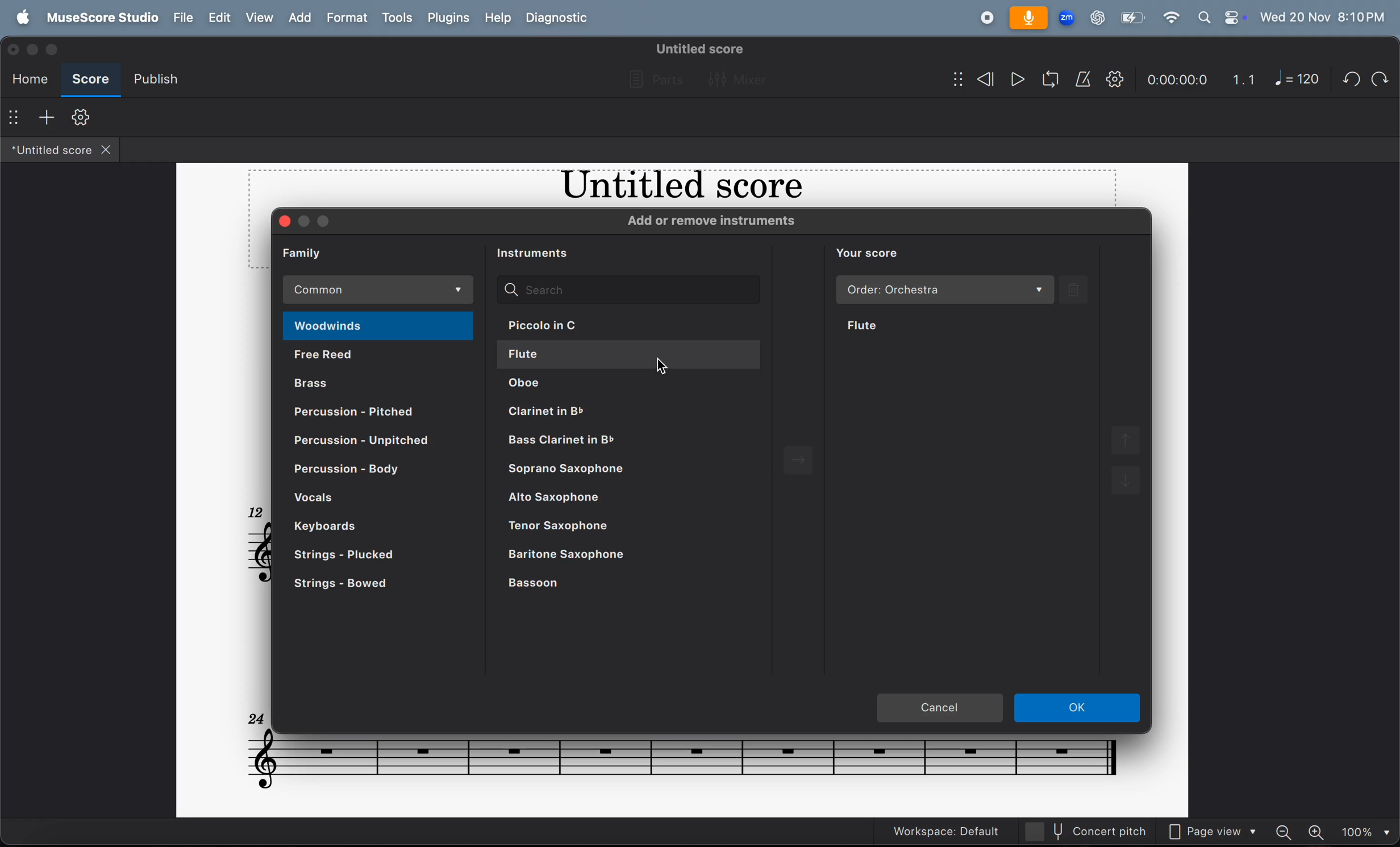  Describe the element at coordinates (349, 18) in the screenshot. I see `format` at that location.